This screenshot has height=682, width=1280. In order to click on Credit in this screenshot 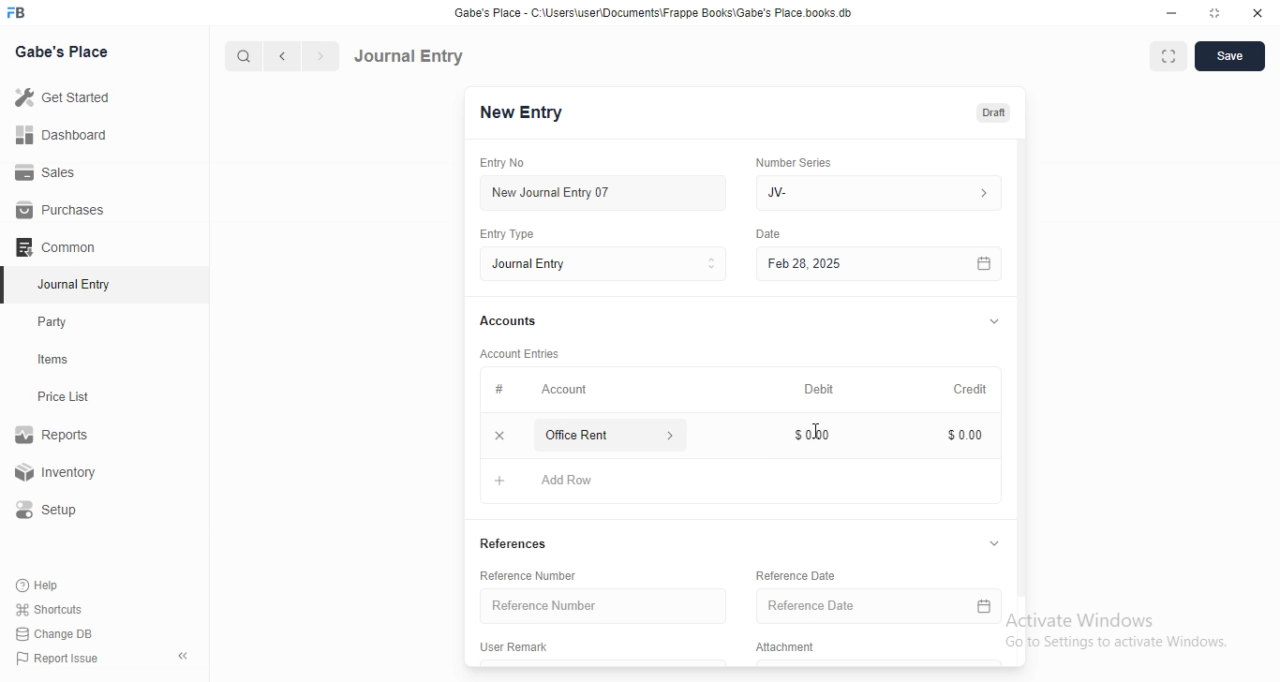, I will do `click(969, 387)`.